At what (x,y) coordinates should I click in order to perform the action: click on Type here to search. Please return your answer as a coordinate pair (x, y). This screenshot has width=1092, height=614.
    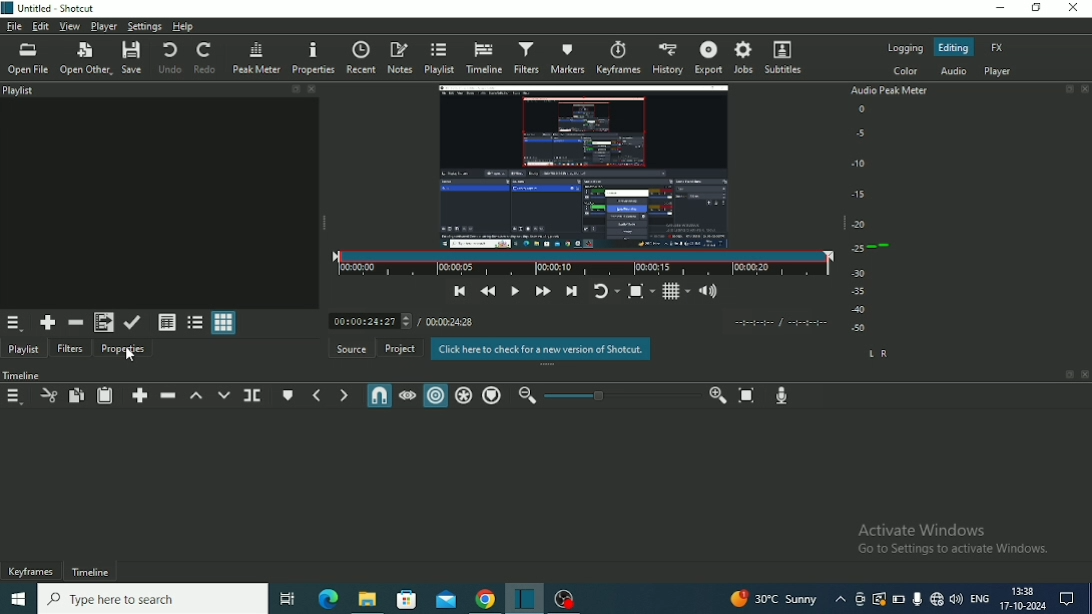
    Looking at the image, I should click on (152, 598).